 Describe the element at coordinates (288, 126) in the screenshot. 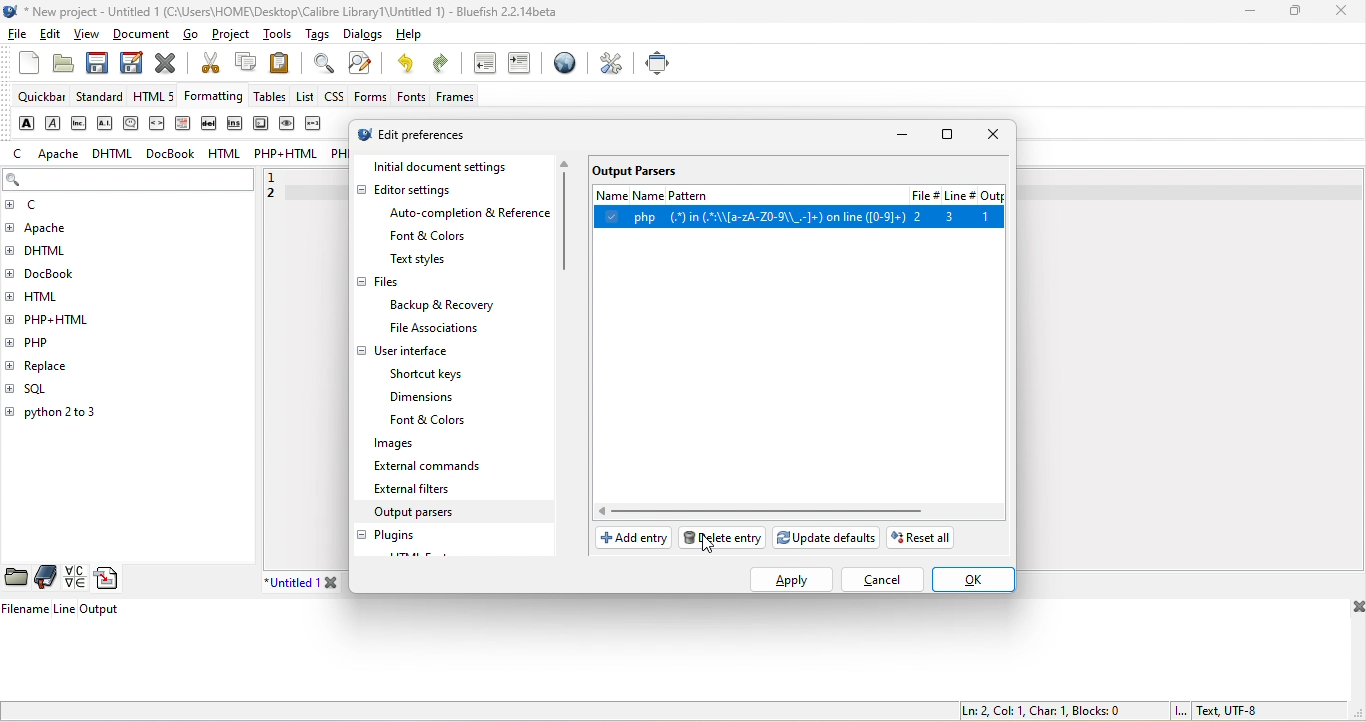

I see `sample` at that location.